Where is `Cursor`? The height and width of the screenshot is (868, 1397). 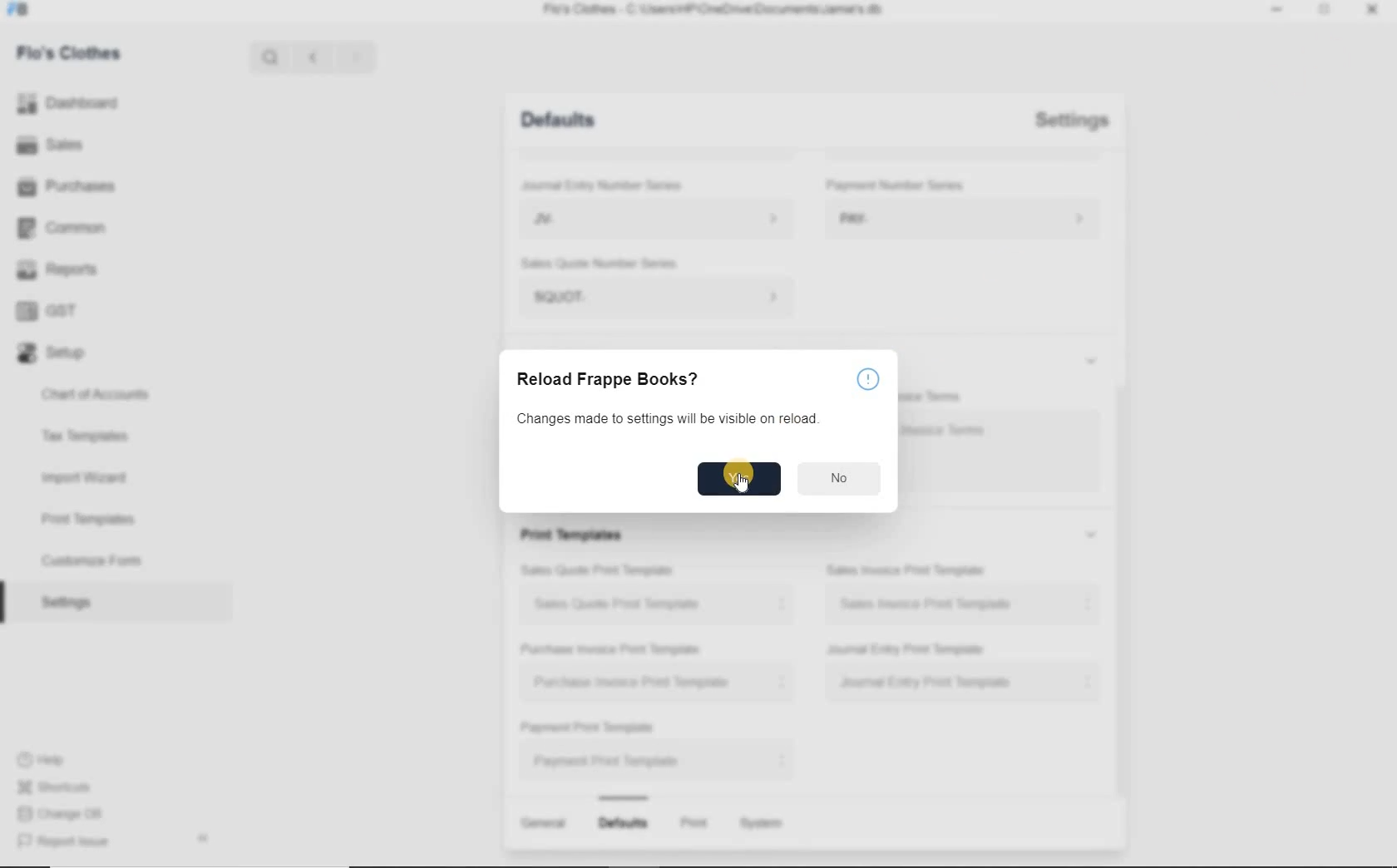
Cursor is located at coordinates (742, 482).